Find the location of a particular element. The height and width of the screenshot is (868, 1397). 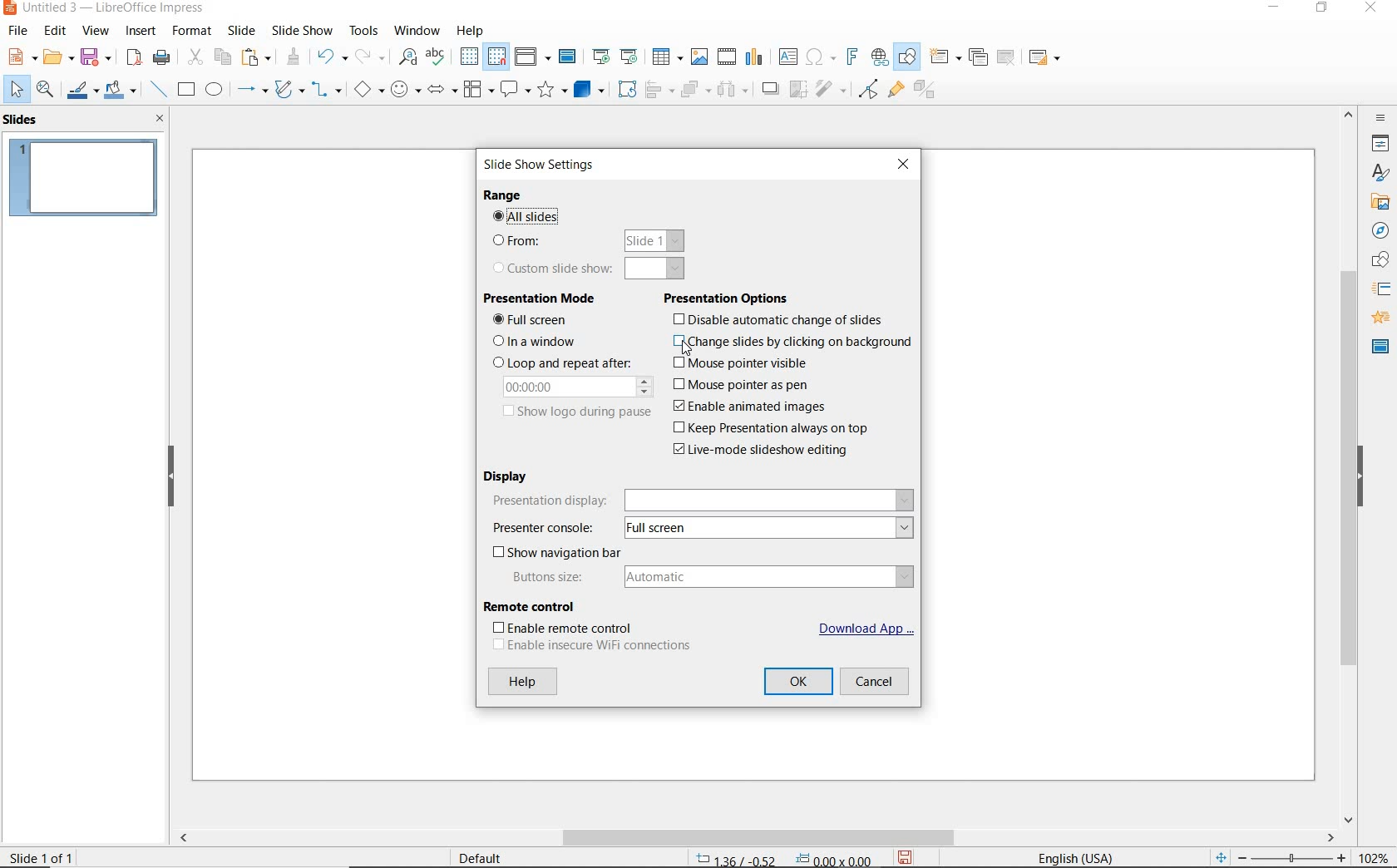

START FROM FIRST SLIDE is located at coordinates (600, 57).